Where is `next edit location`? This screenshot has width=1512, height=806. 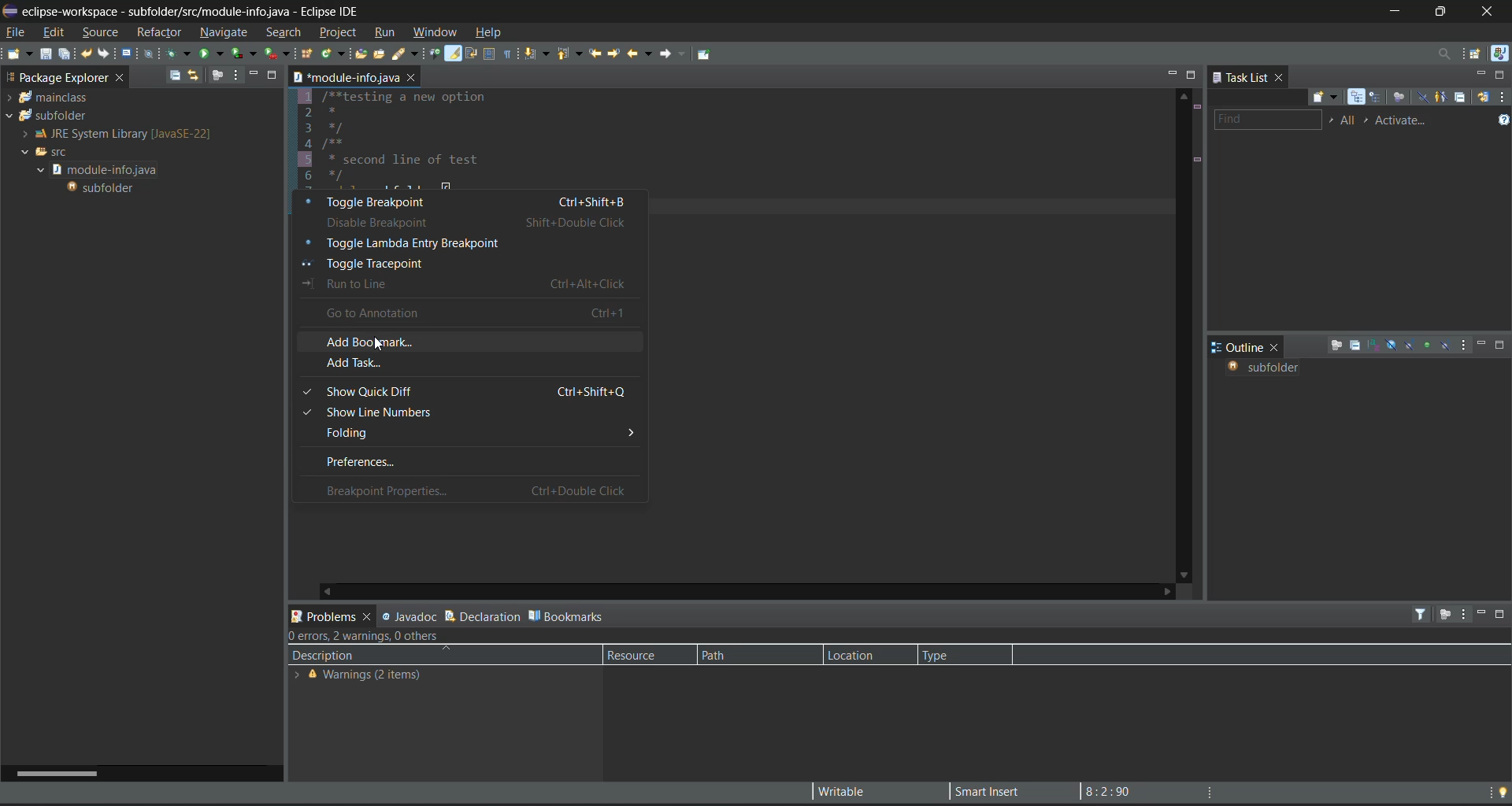
next edit location is located at coordinates (613, 52).